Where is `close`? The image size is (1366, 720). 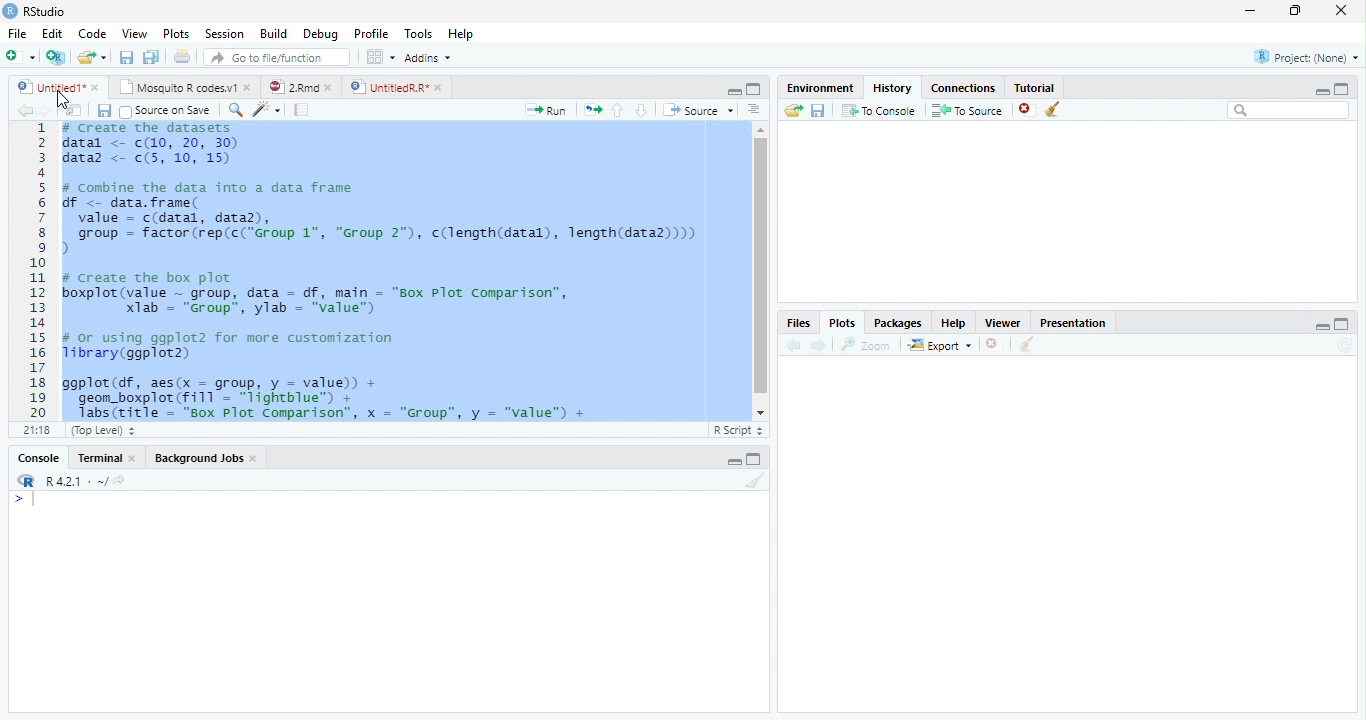 close is located at coordinates (95, 87).